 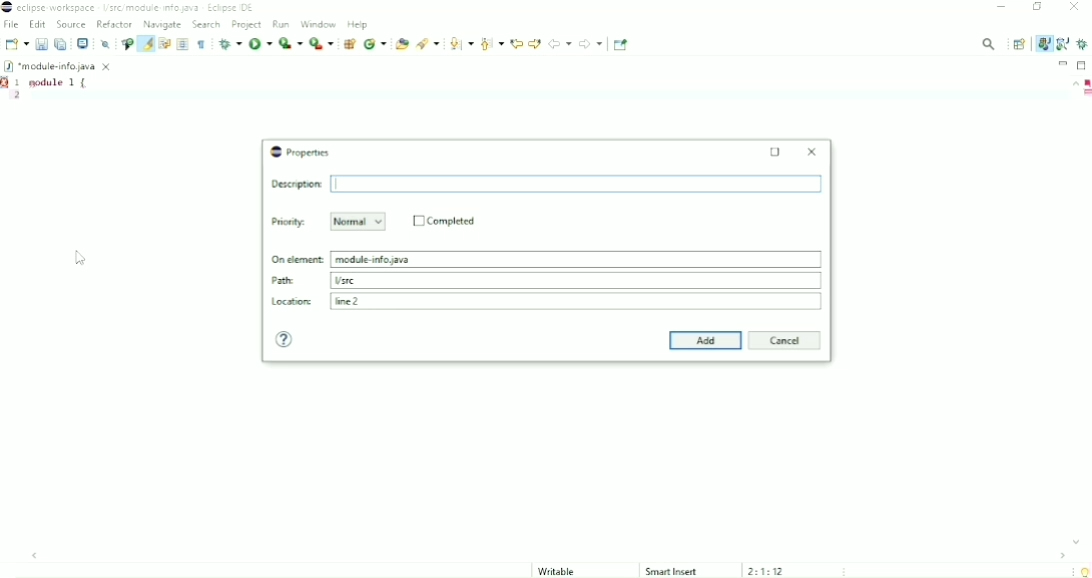 I want to click on Markers, so click(x=1086, y=94).